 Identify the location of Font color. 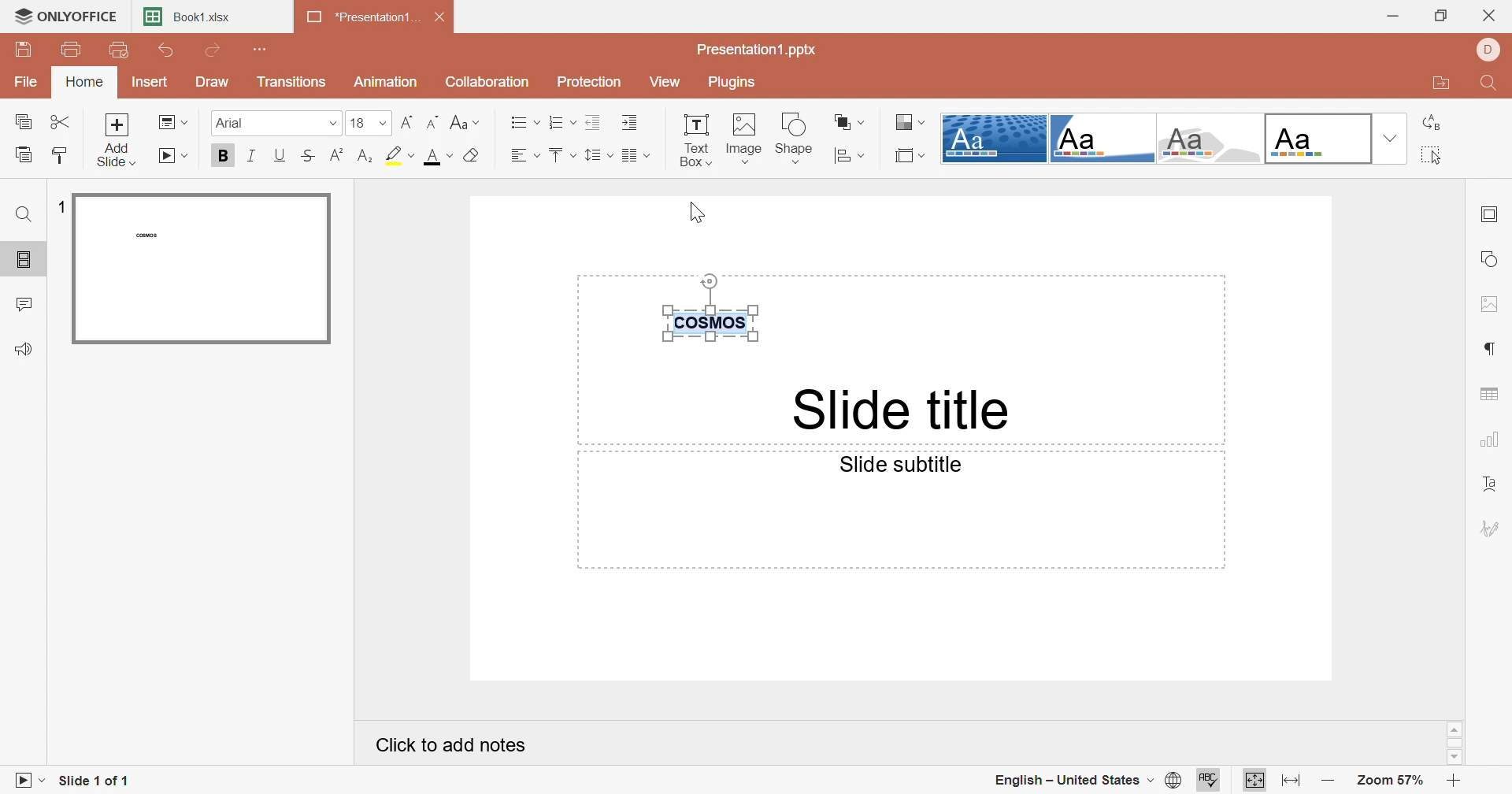
(438, 158).